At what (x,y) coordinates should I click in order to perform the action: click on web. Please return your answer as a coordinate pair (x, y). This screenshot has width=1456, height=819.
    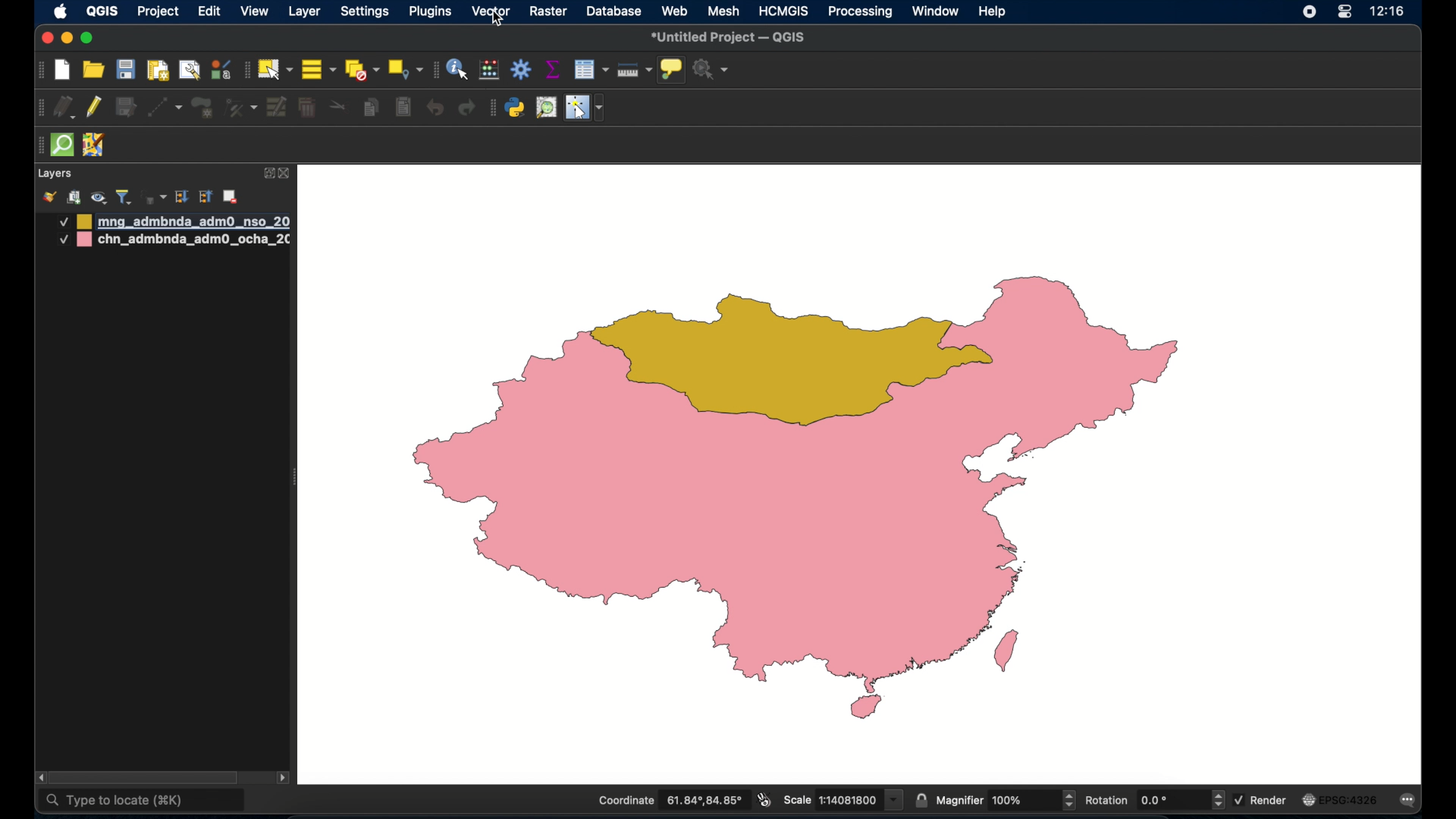
    Looking at the image, I should click on (676, 11).